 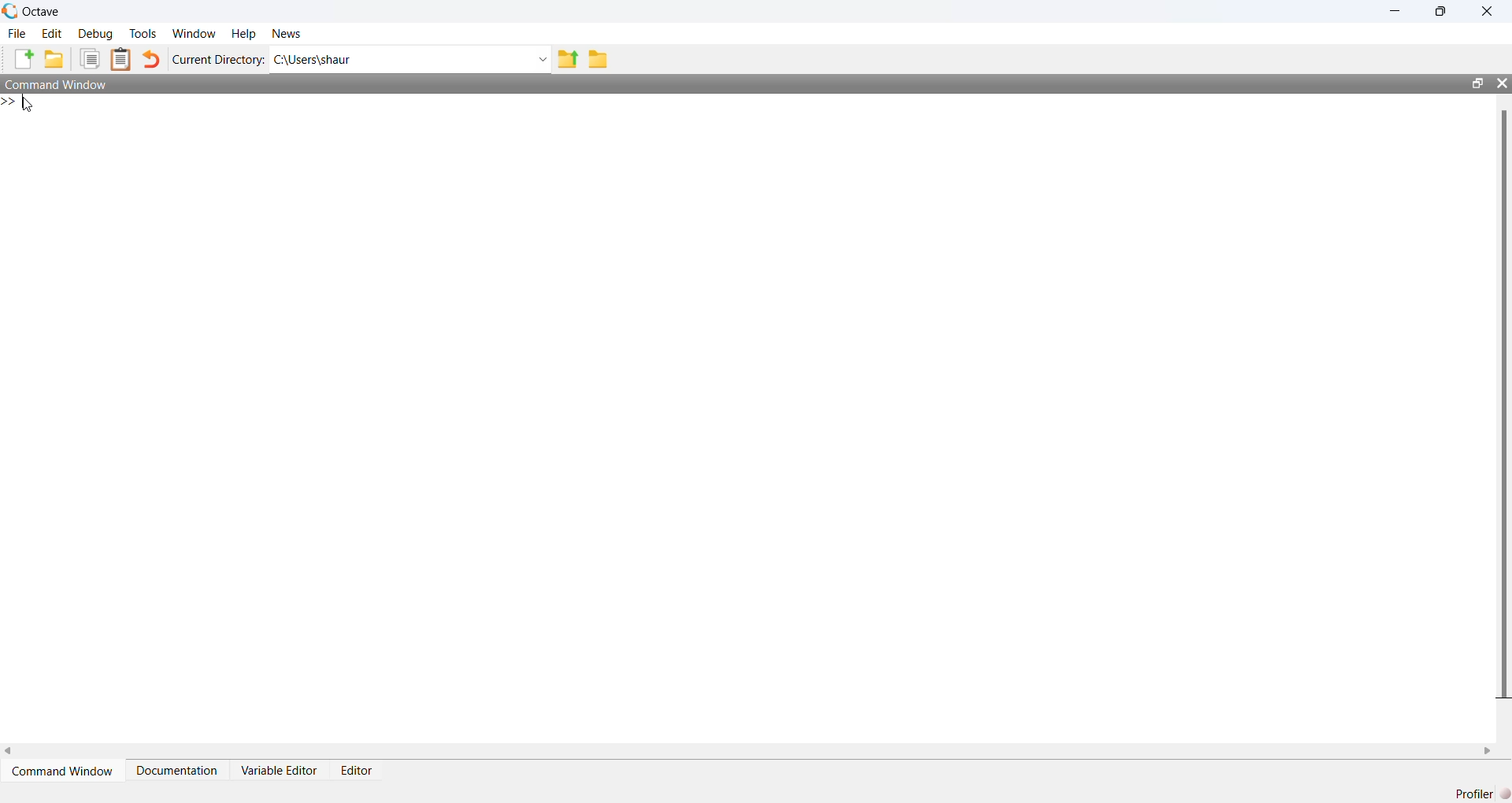 What do you see at coordinates (196, 33) in the screenshot?
I see `window` at bounding box center [196, 33].